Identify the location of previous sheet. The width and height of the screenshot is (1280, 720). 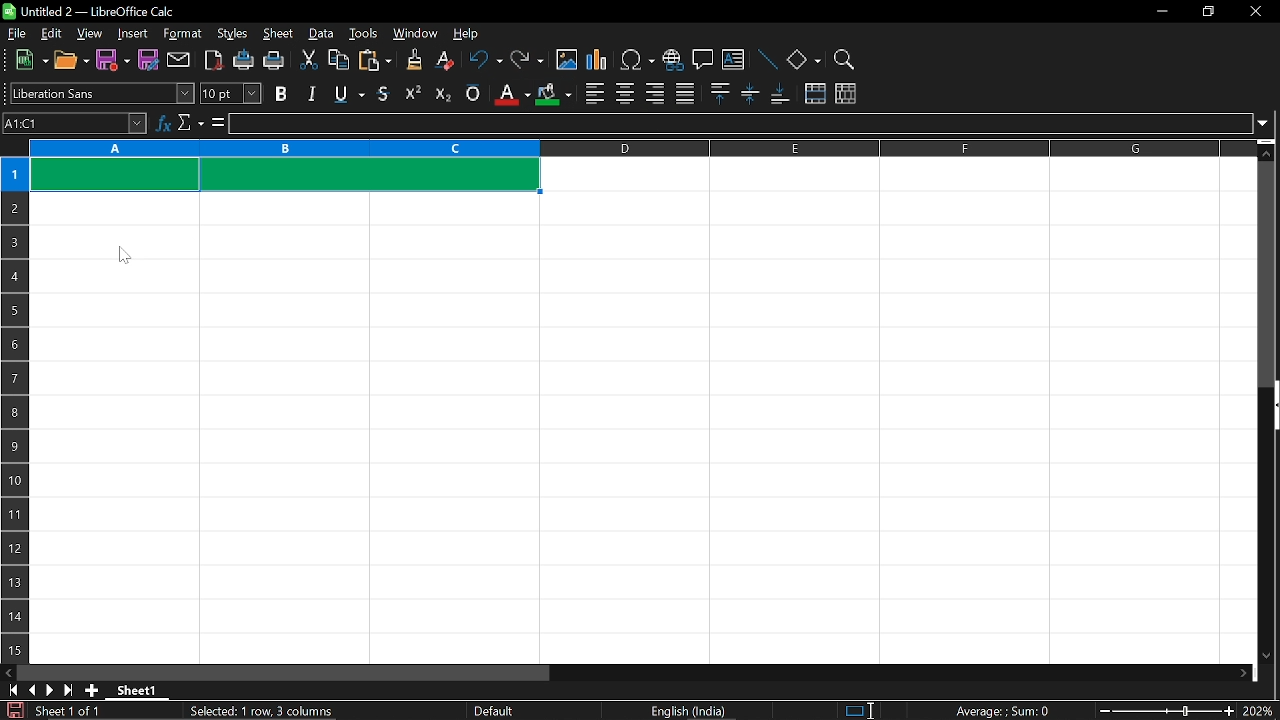
(30, 690).